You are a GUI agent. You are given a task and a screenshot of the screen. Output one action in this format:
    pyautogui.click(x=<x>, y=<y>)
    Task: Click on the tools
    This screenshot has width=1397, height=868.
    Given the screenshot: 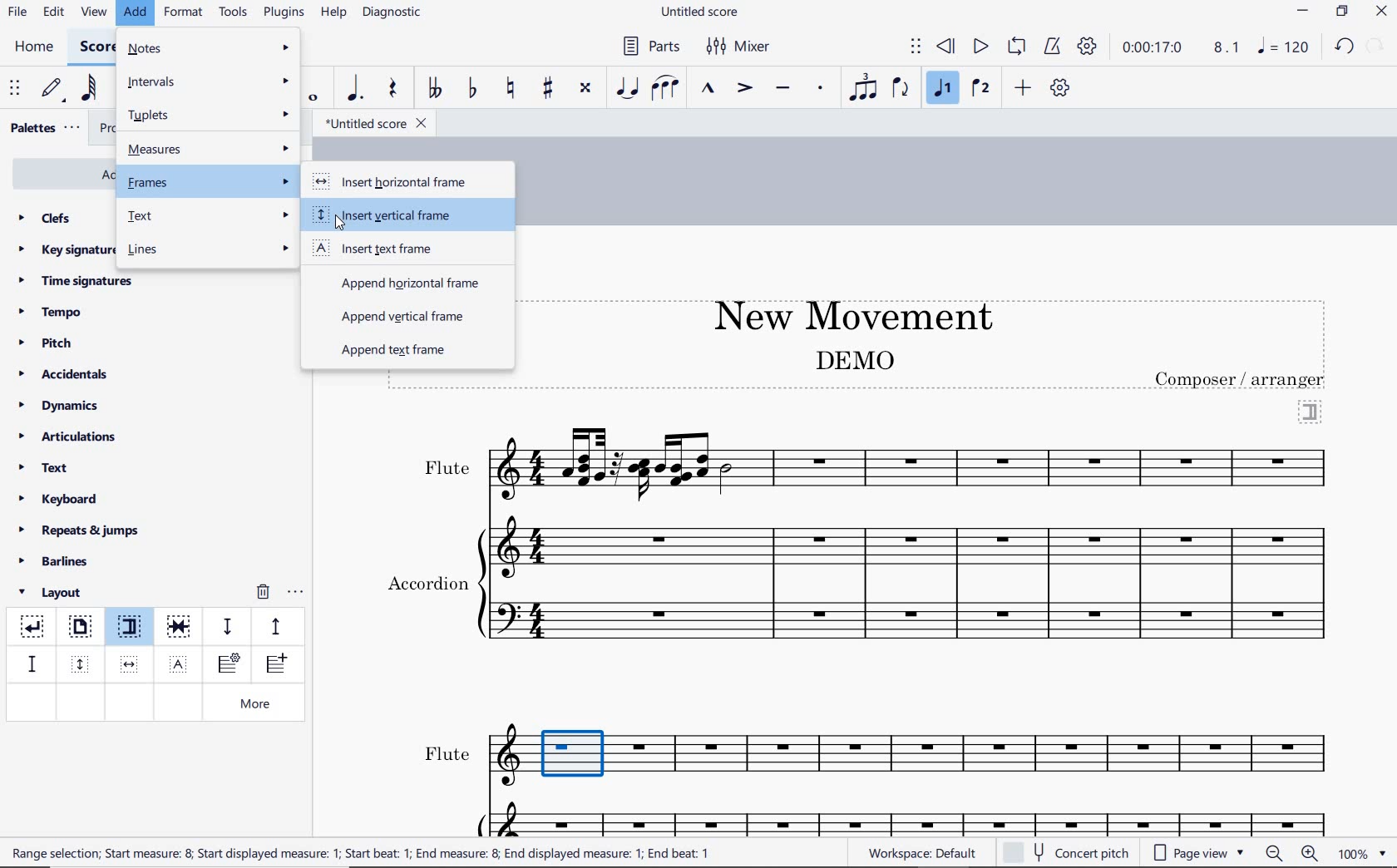 What is the action you would take?
    pyautogui.click(x=234, y=12)
    